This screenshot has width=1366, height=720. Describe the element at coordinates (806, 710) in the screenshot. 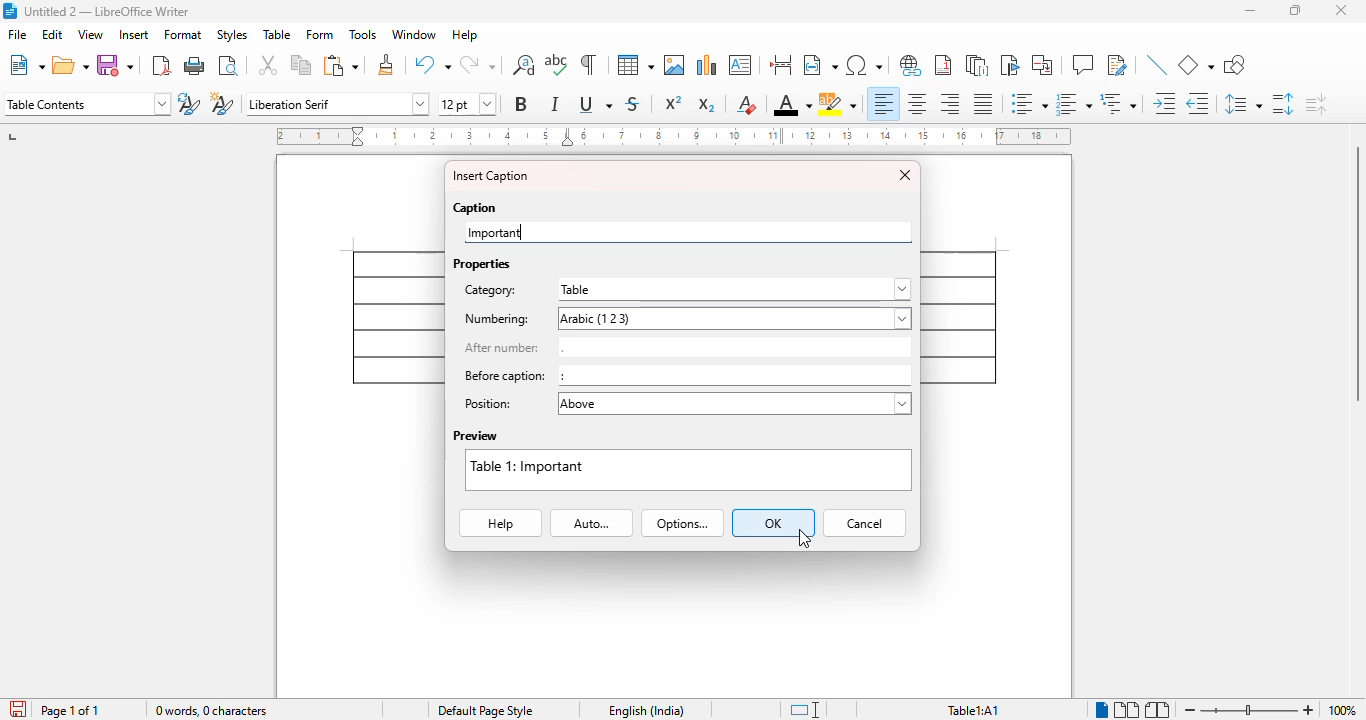

I see `standard selection` at that location.